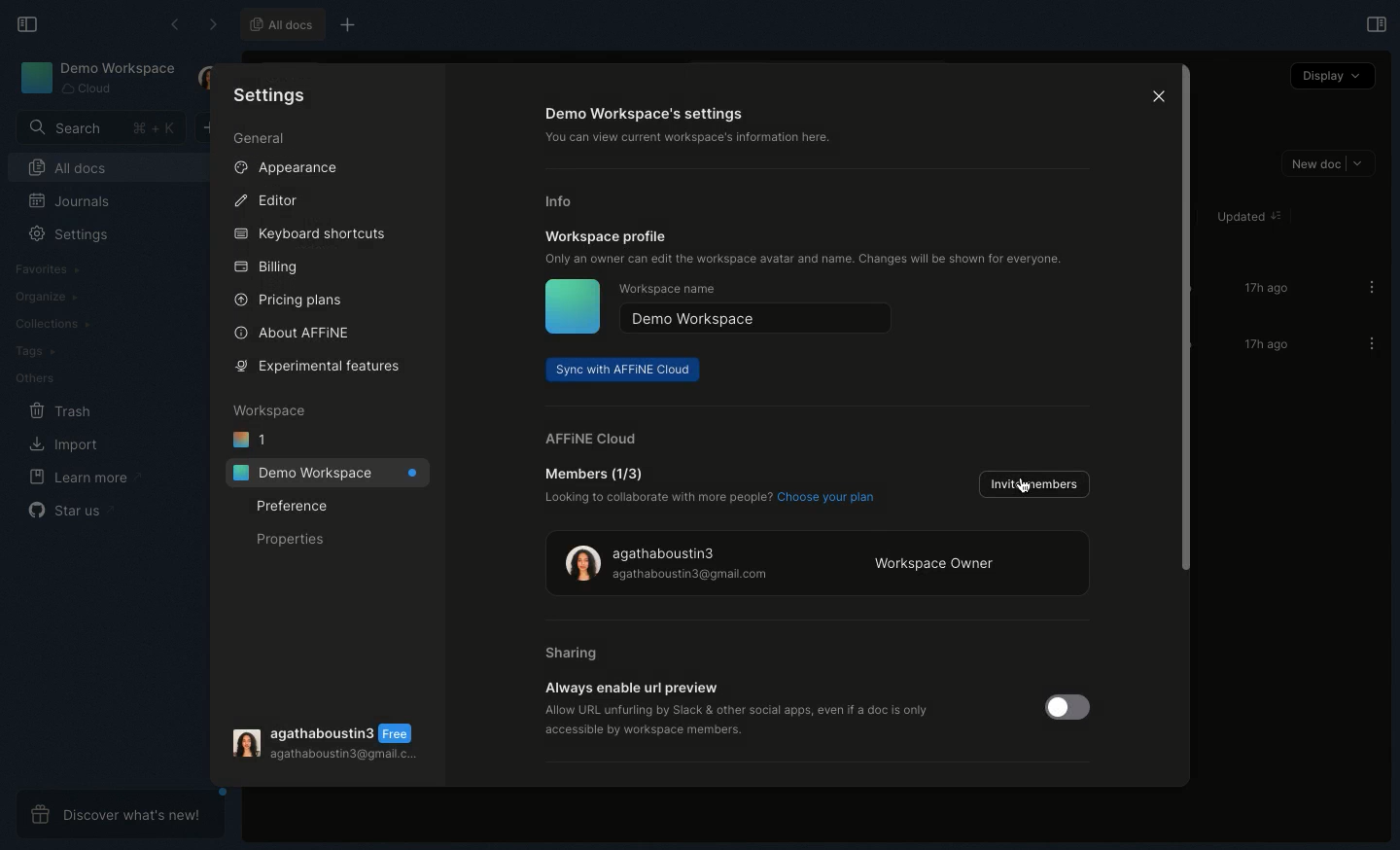 The width and height of the screenshot is (1400, 850). What do you see at coordinates (60, 443) in the screenshot?
I see `Import` at bounding box center [60, 443].